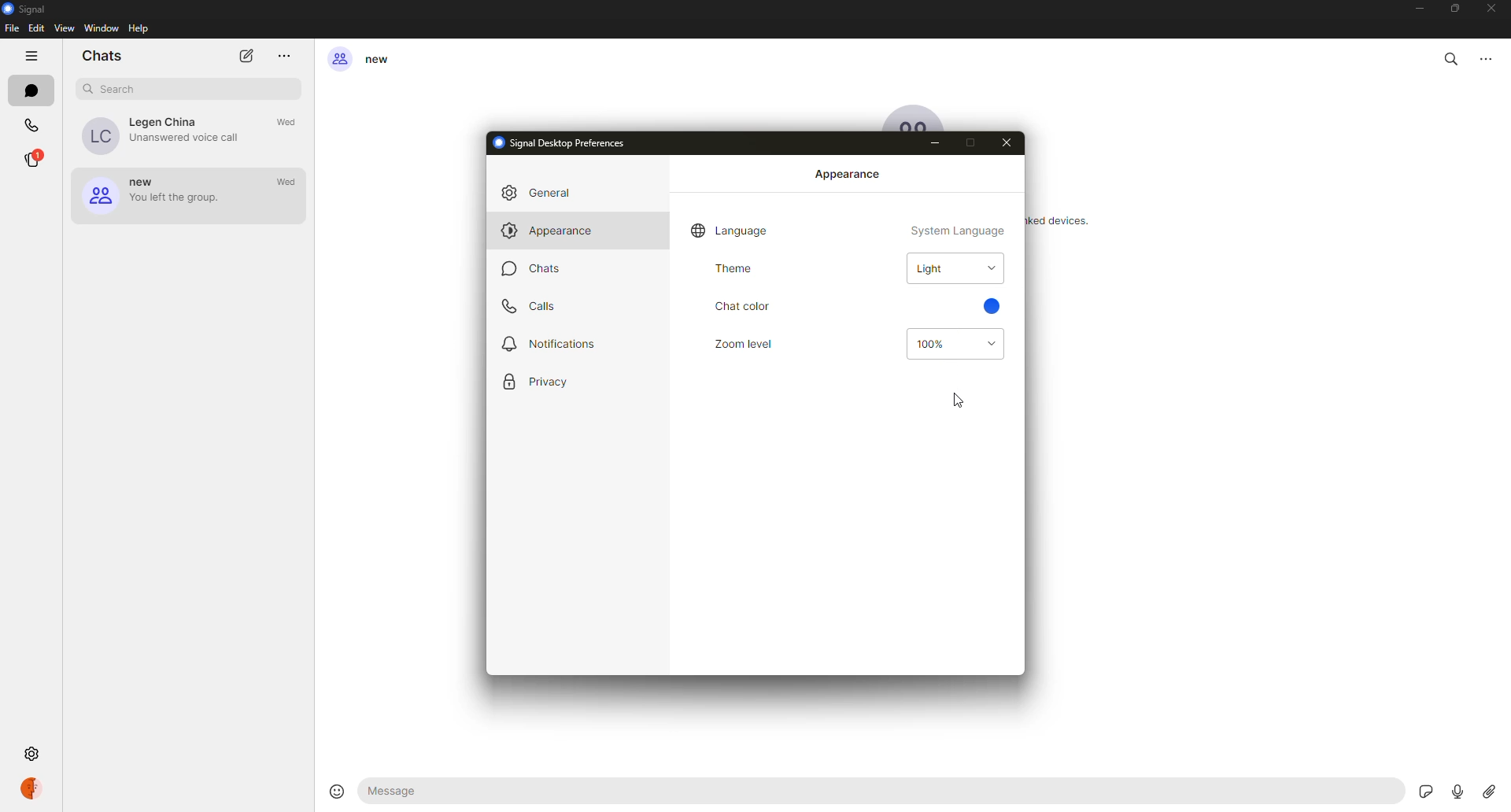 Image resolution: width=1511 pixels, height=812 pixels. What do you see at coordinates (1454, 8) in the screenshot?
I see `maximize` at bounding box center [1454, 8].